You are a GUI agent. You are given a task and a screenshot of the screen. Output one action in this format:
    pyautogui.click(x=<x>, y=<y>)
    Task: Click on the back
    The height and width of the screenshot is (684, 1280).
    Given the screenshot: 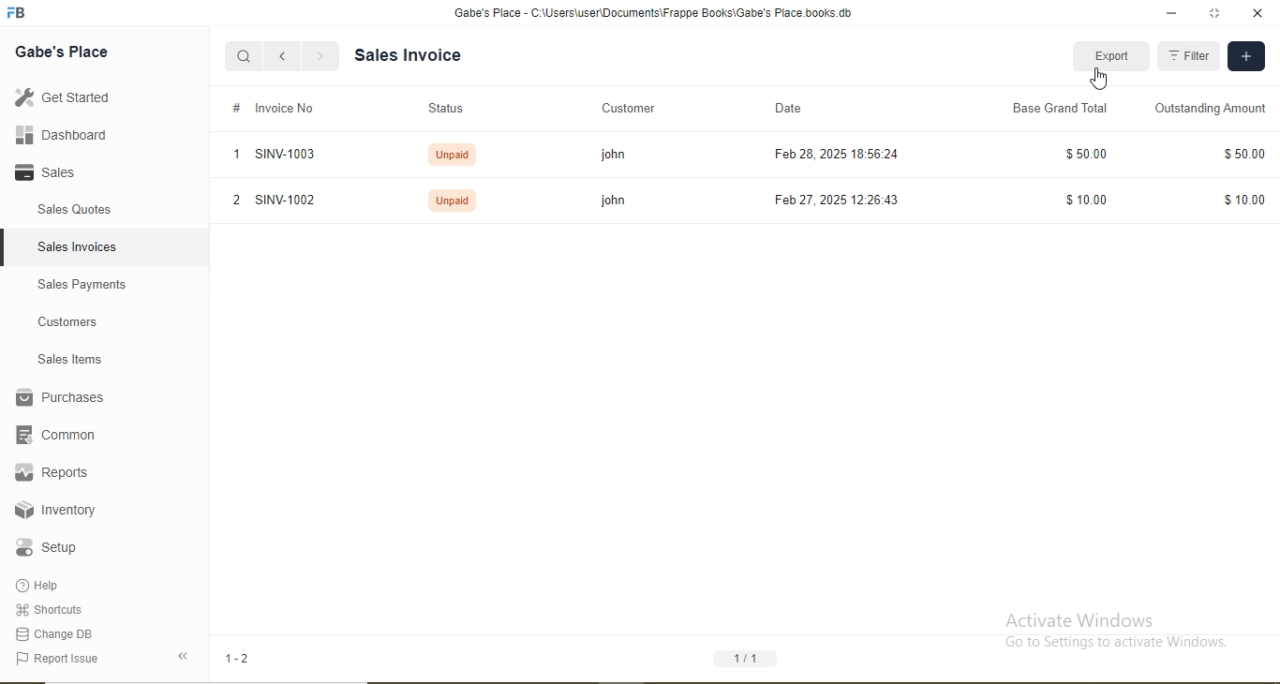 What is the action you would take?
    pyautogui.click(x=282, y=56)
    